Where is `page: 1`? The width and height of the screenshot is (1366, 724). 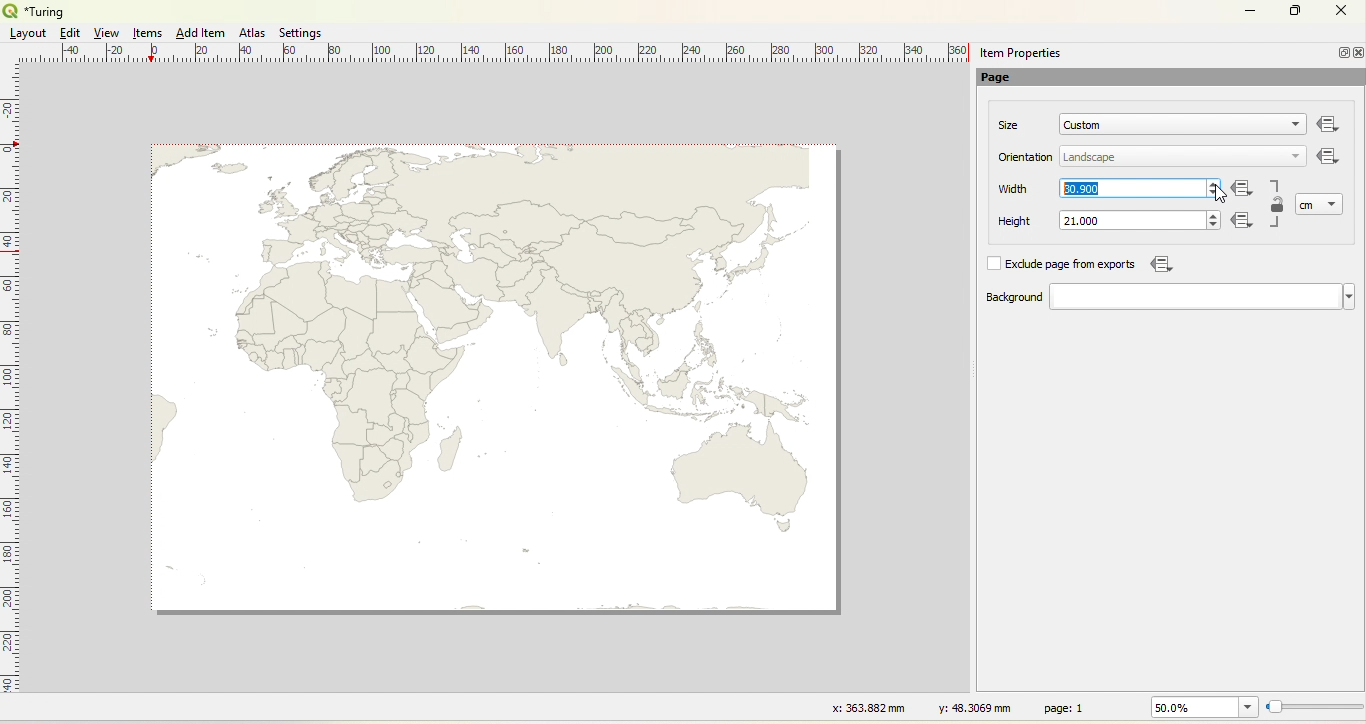
page: 1 is located at coordinates (1067, 707).